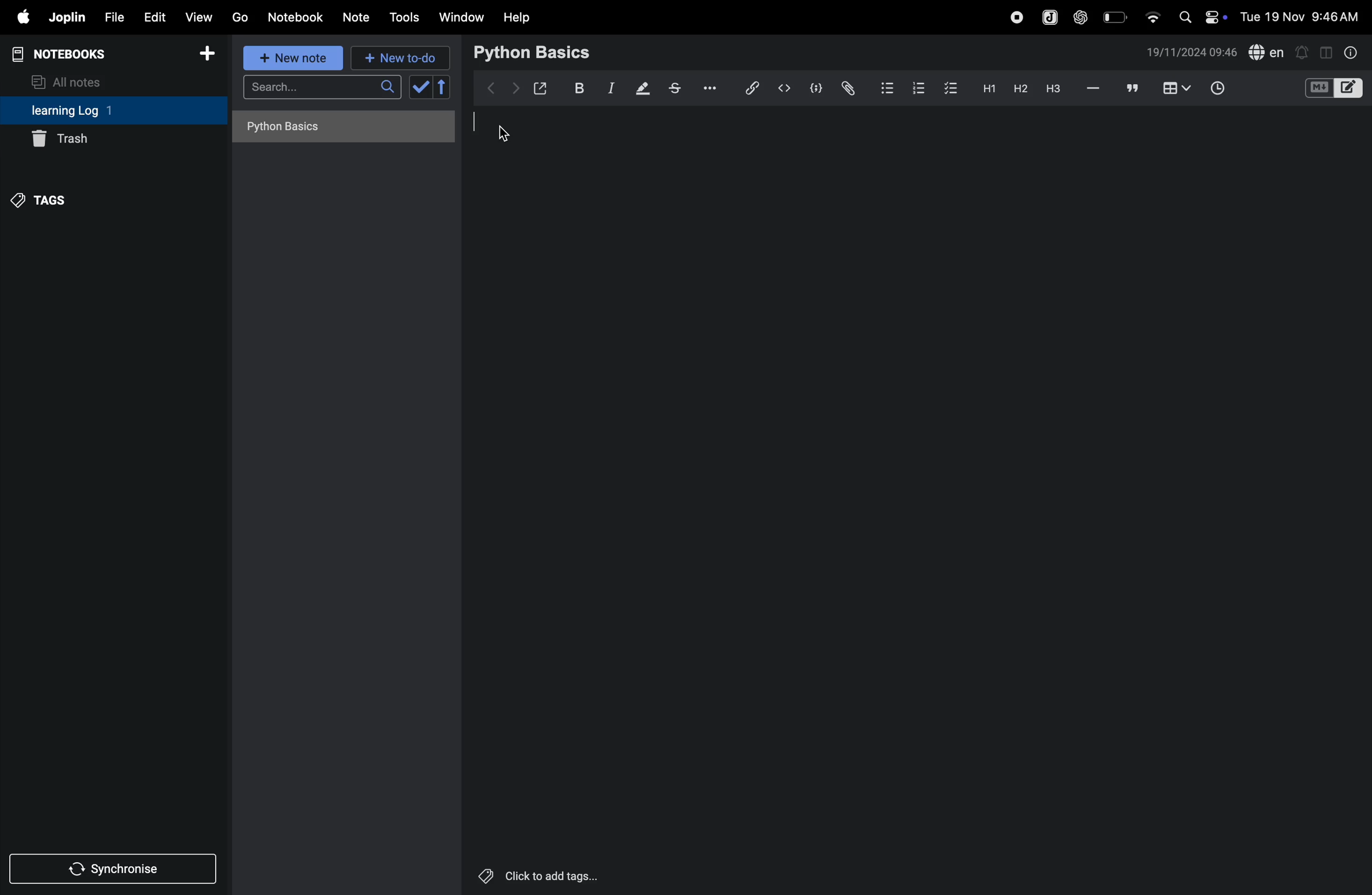  I want to click on attach file, so click(847, 88).